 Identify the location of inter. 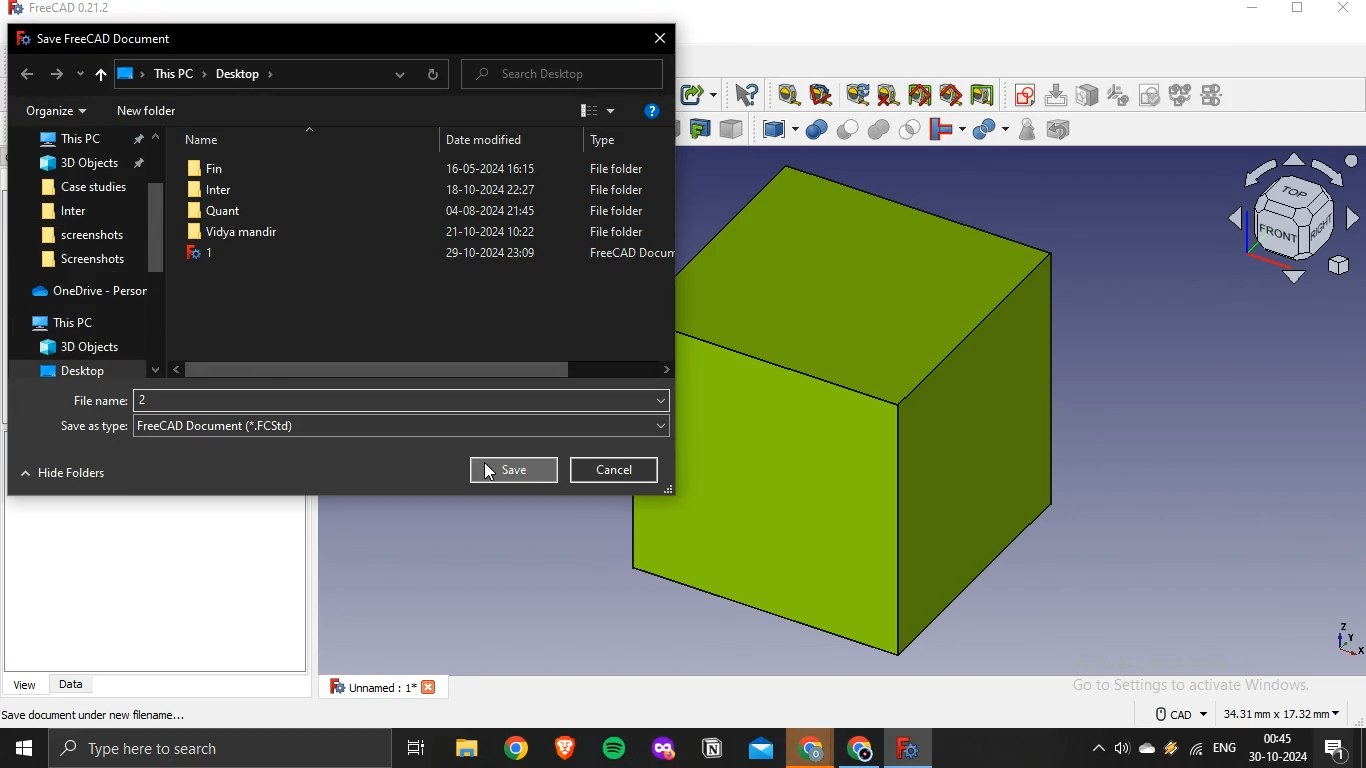
(67, 214).